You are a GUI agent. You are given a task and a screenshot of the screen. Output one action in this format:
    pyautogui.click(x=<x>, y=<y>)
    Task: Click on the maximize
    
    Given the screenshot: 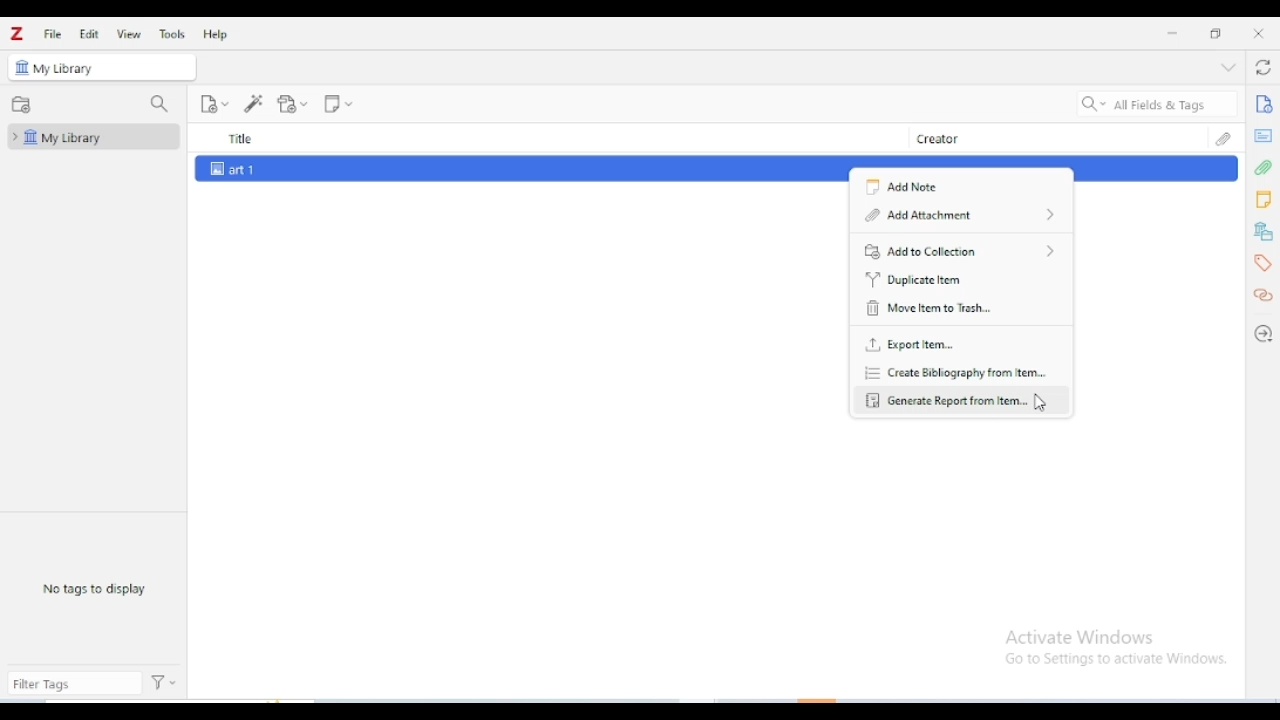 What is the action you would take?
    pyautogui.click(x=1214, y=32)
    